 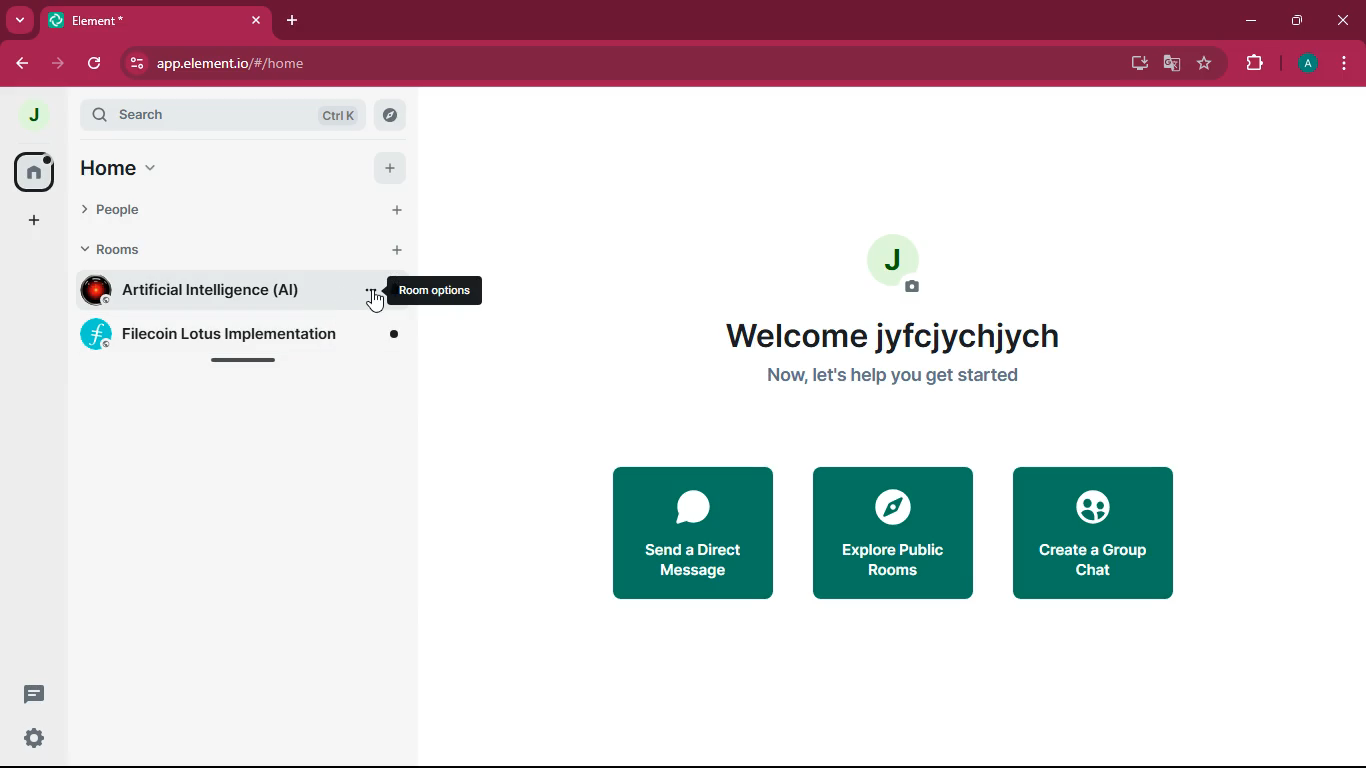 I want to click on rooms, so click(x=129, y=250).